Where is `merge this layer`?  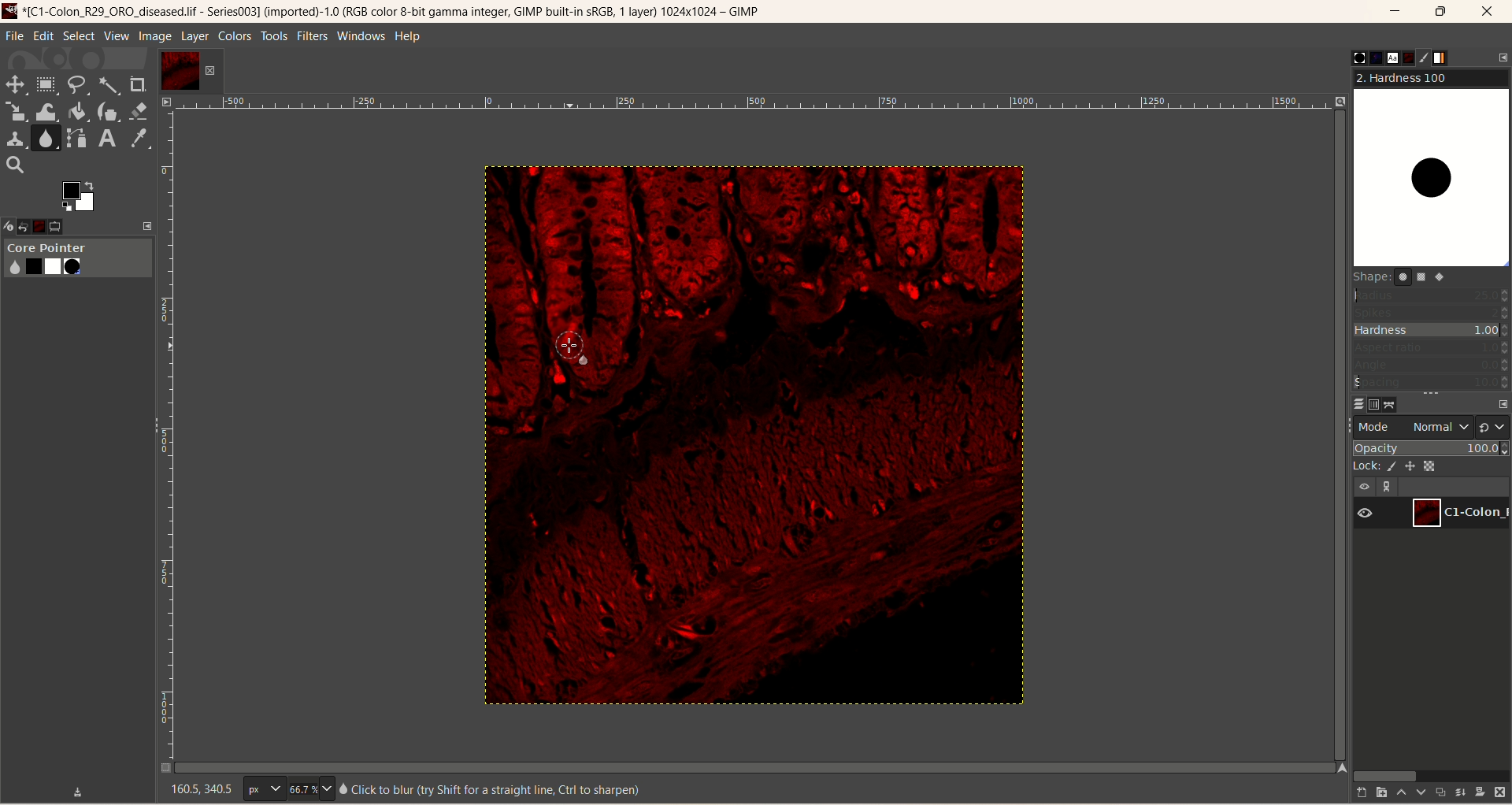 merge this layer is located at coordinates (1459, 792).